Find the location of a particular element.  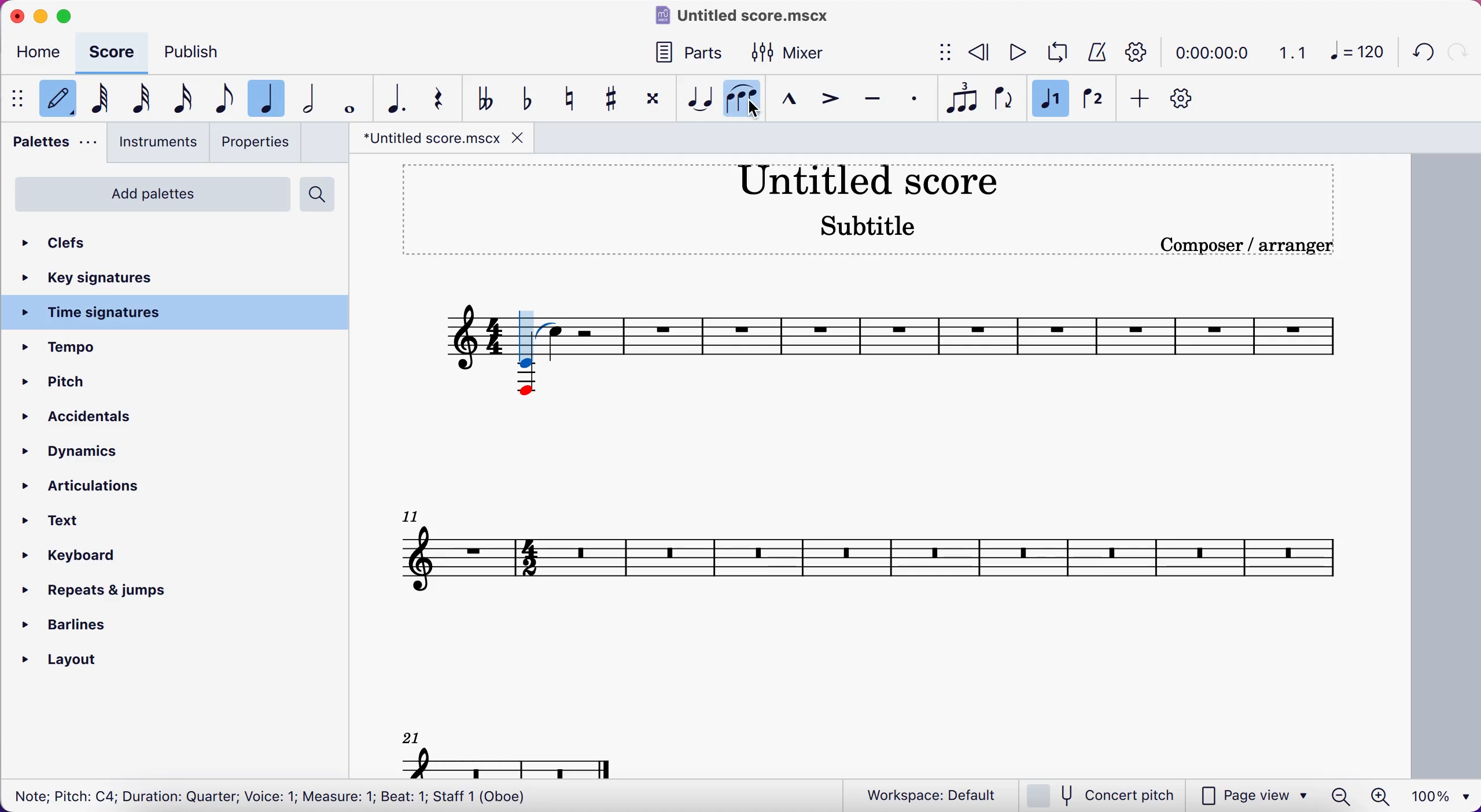

close is located at coordinates (16, 16).